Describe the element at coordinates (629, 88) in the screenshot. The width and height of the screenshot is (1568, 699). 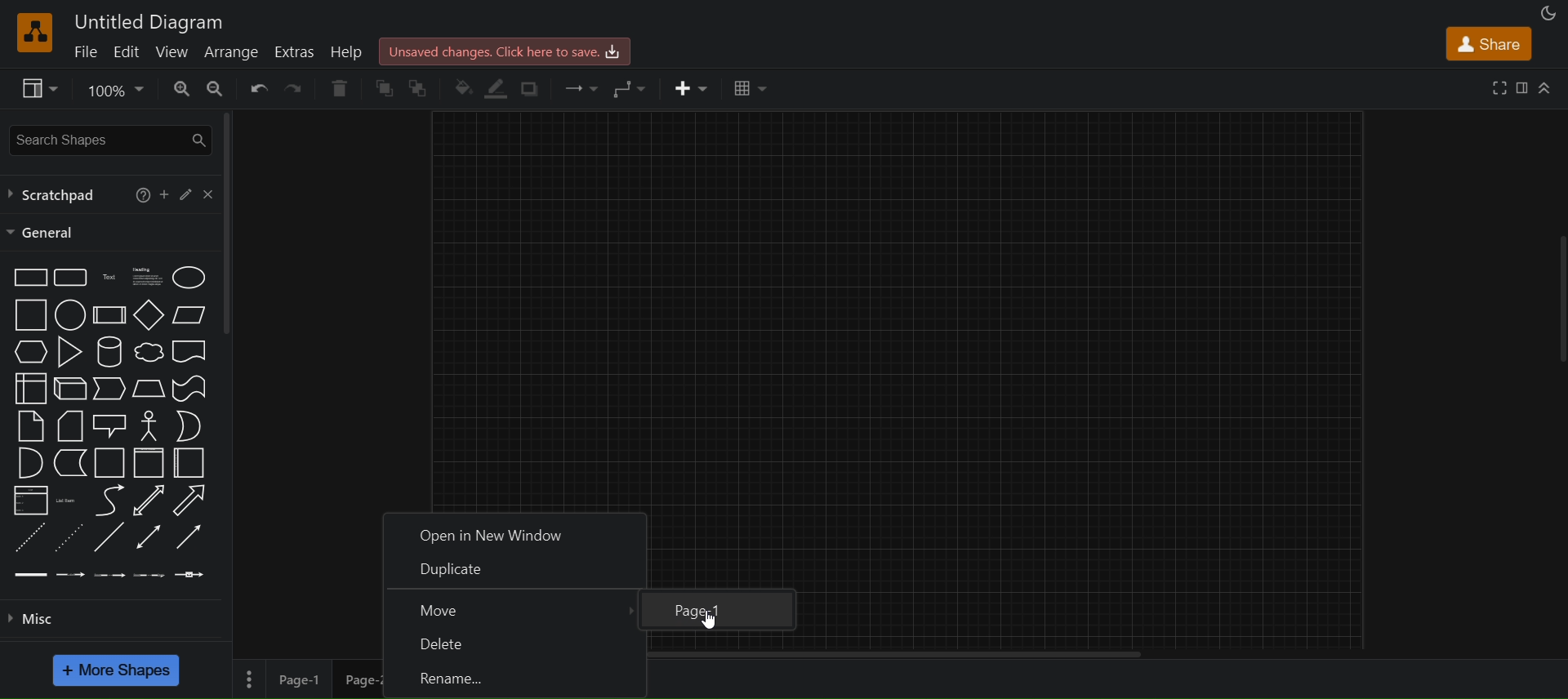
I see `waypoints` at that location.